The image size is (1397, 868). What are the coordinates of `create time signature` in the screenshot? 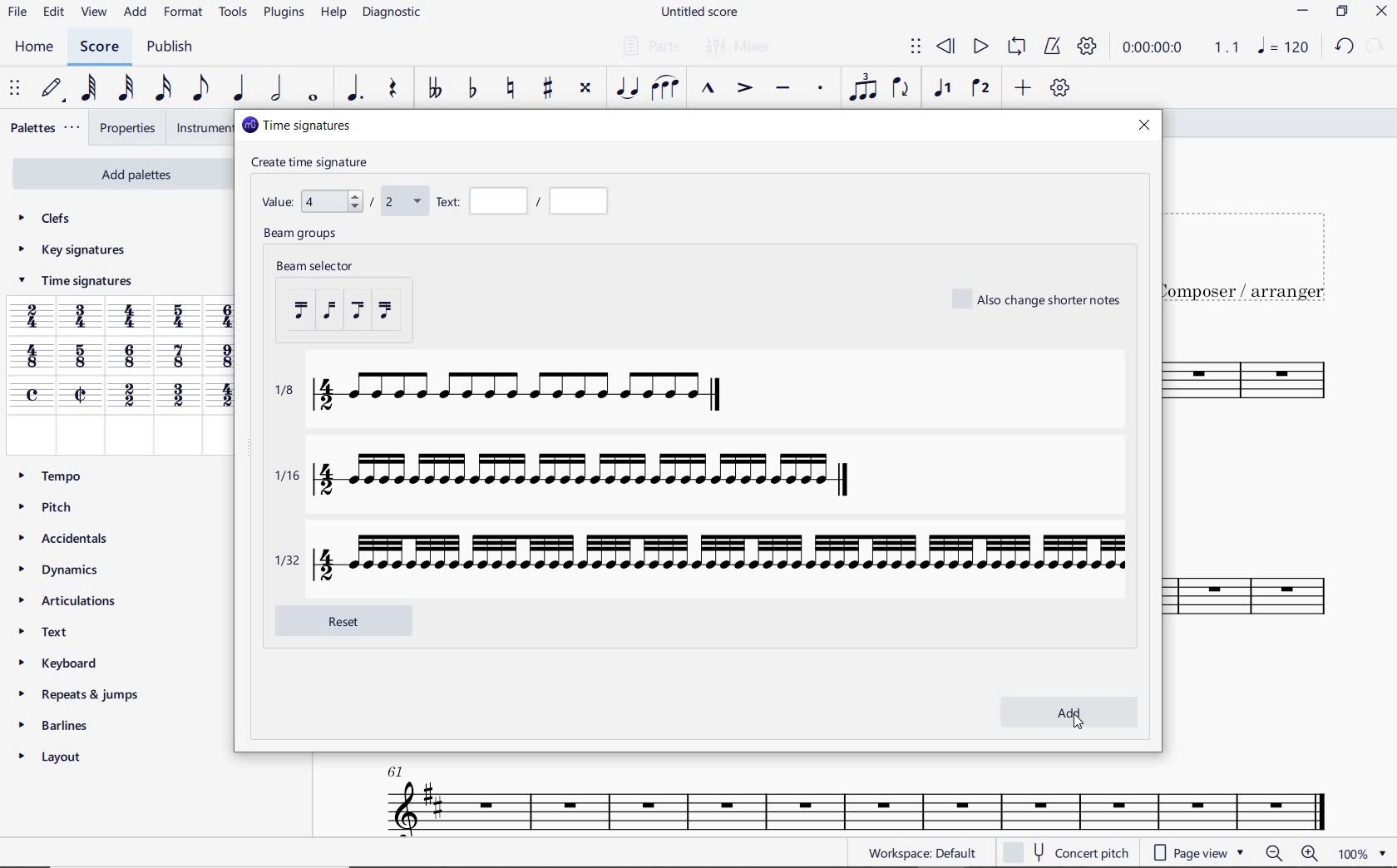 It's located at (315, 161).